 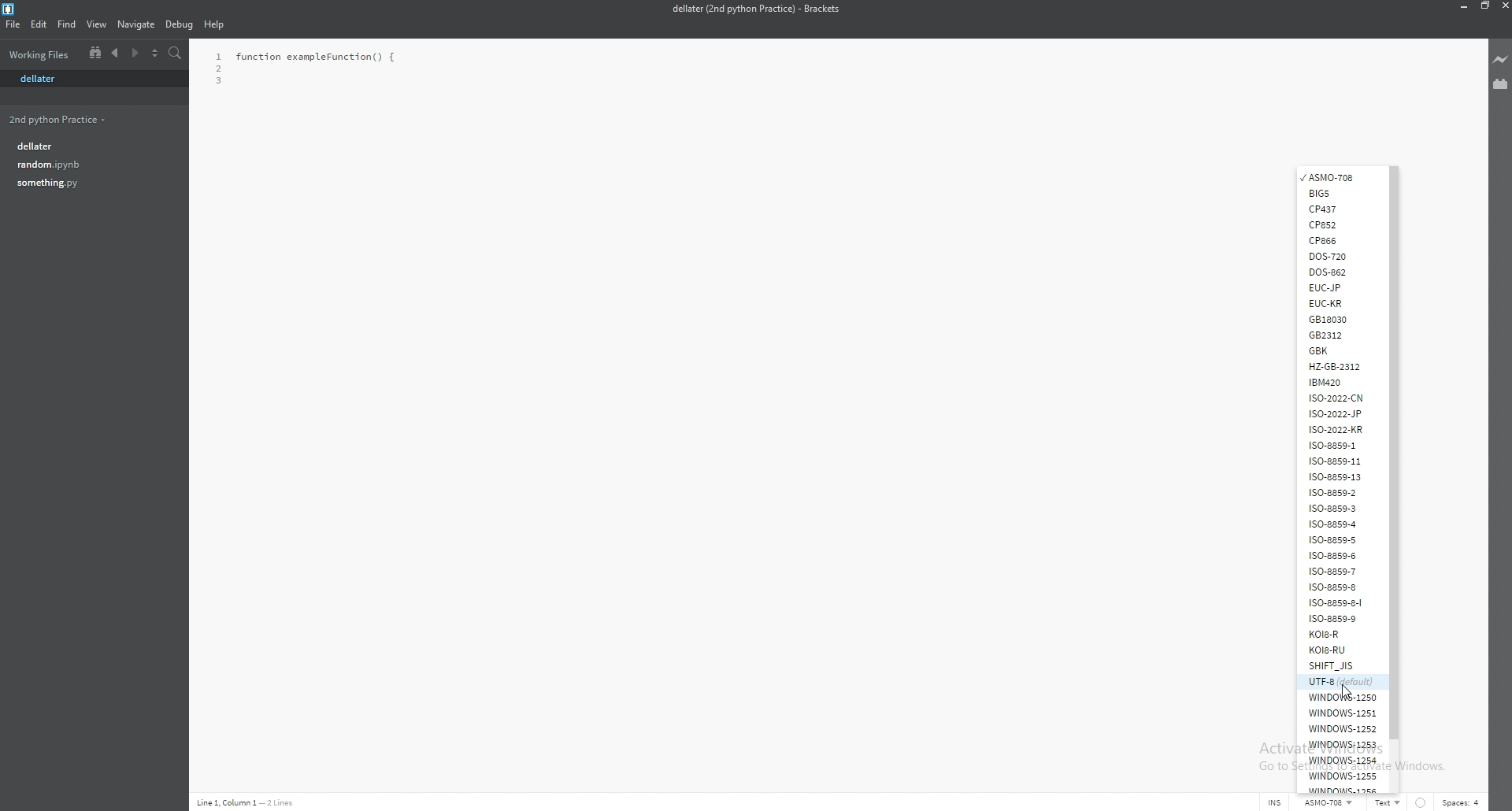 I want to click on scroll bar, so click(x=1394, y=451).